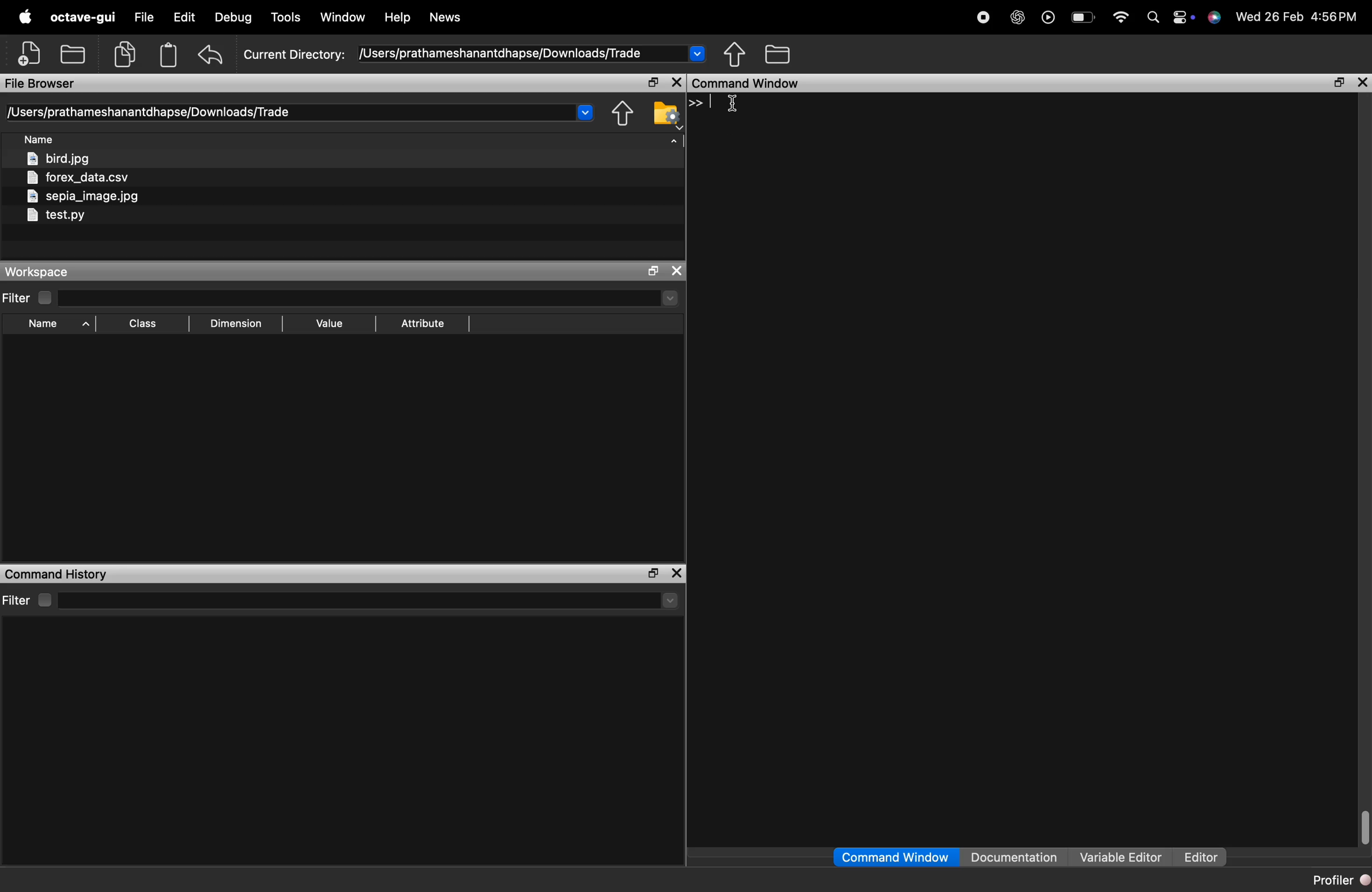 Image resolution: width=1372 pixels, height=892 pixels. Describe the element at coordinates (25, 16) in the screenshot. I see `apple` at that location.